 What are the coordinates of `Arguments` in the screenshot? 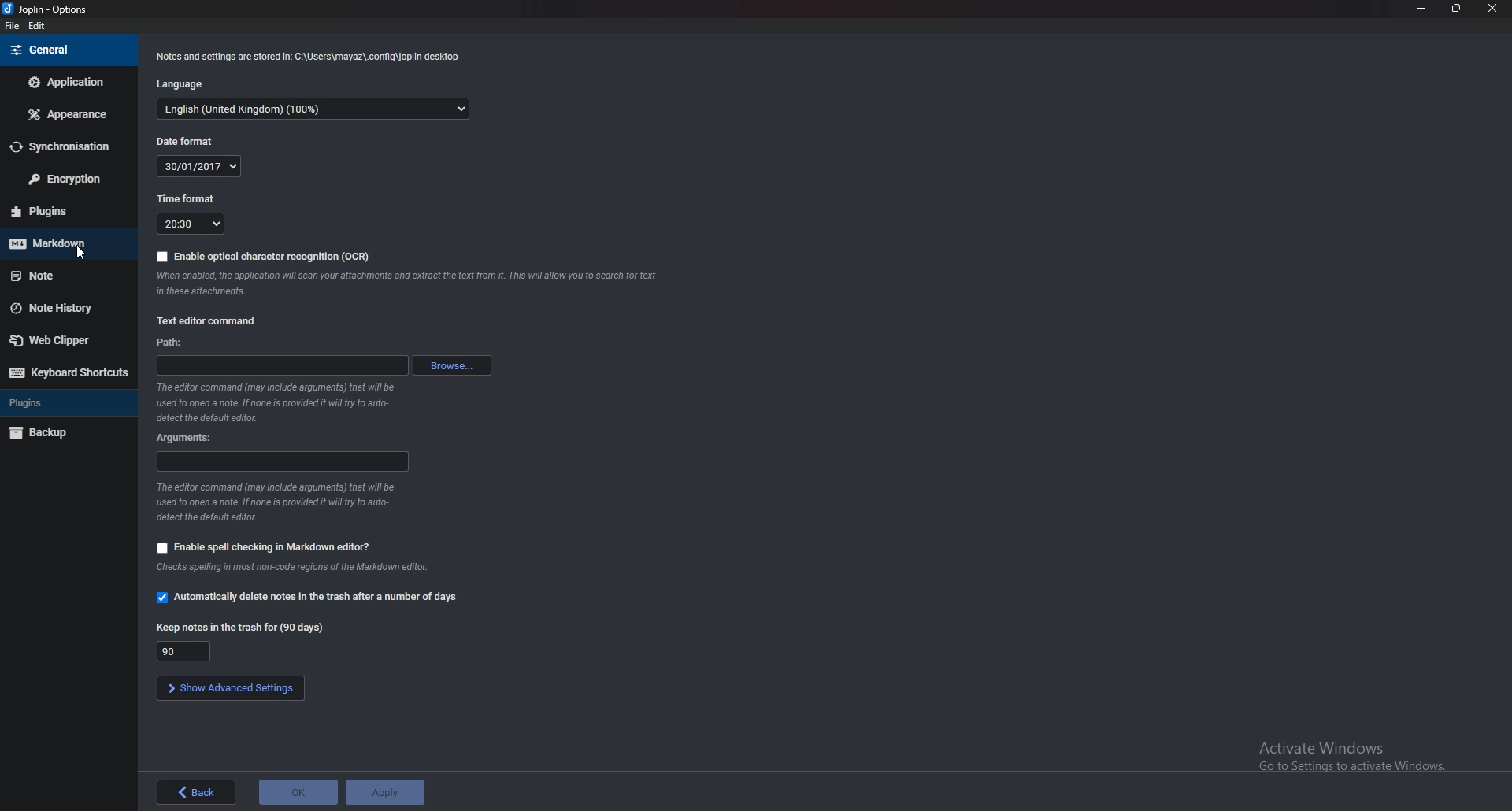 It's located at (280, 462).